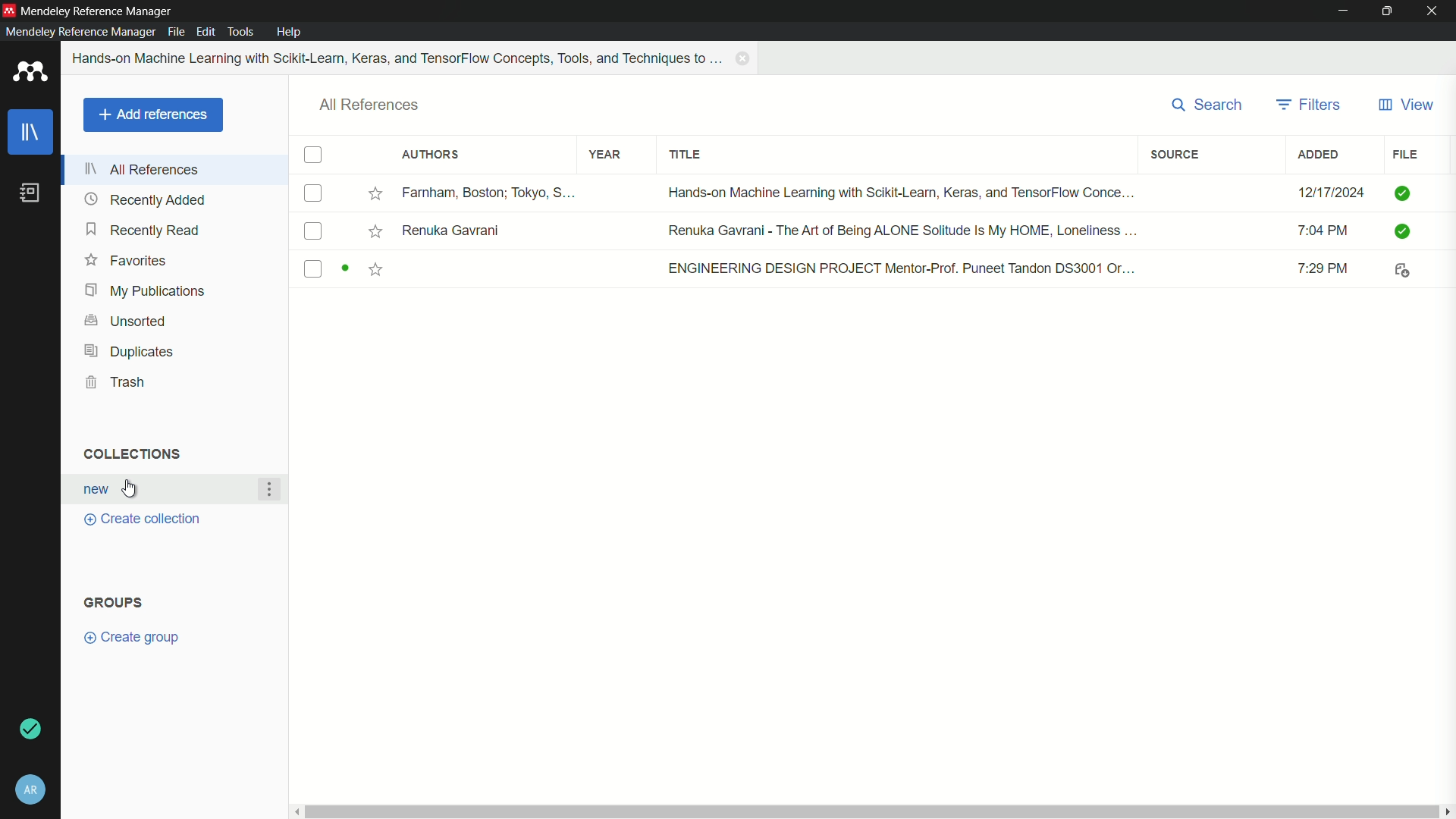 The width and height of the screenshot is (1456, 819). I want to click on added, so click(1319, 155).